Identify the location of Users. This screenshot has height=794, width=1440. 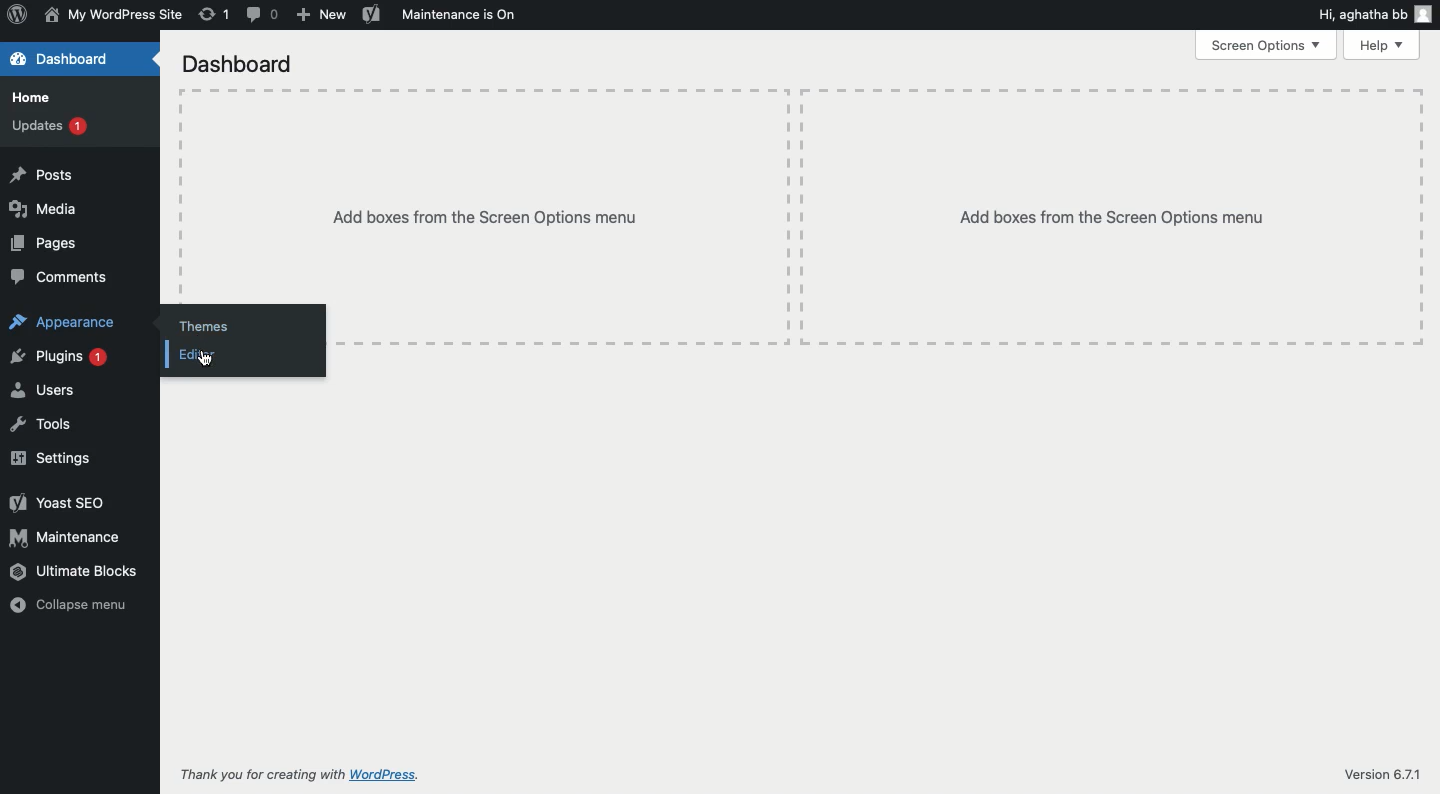
(42, 390).